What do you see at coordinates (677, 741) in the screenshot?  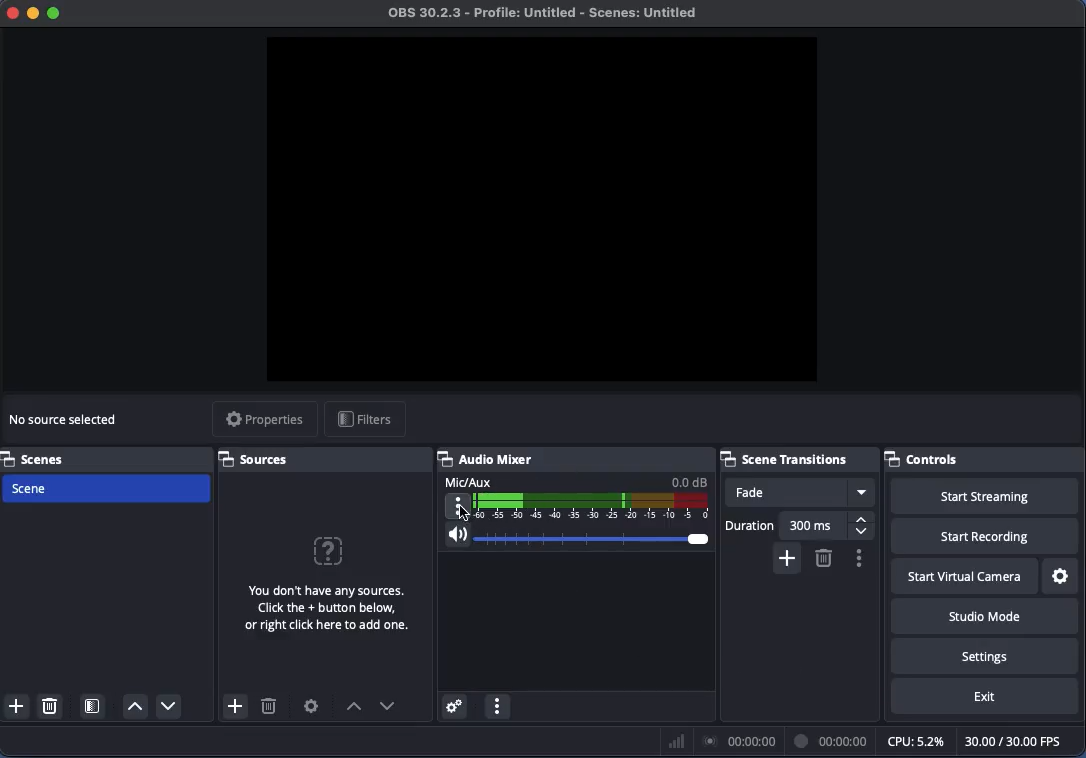 I see `Bars` at bounding box center [677, 741].